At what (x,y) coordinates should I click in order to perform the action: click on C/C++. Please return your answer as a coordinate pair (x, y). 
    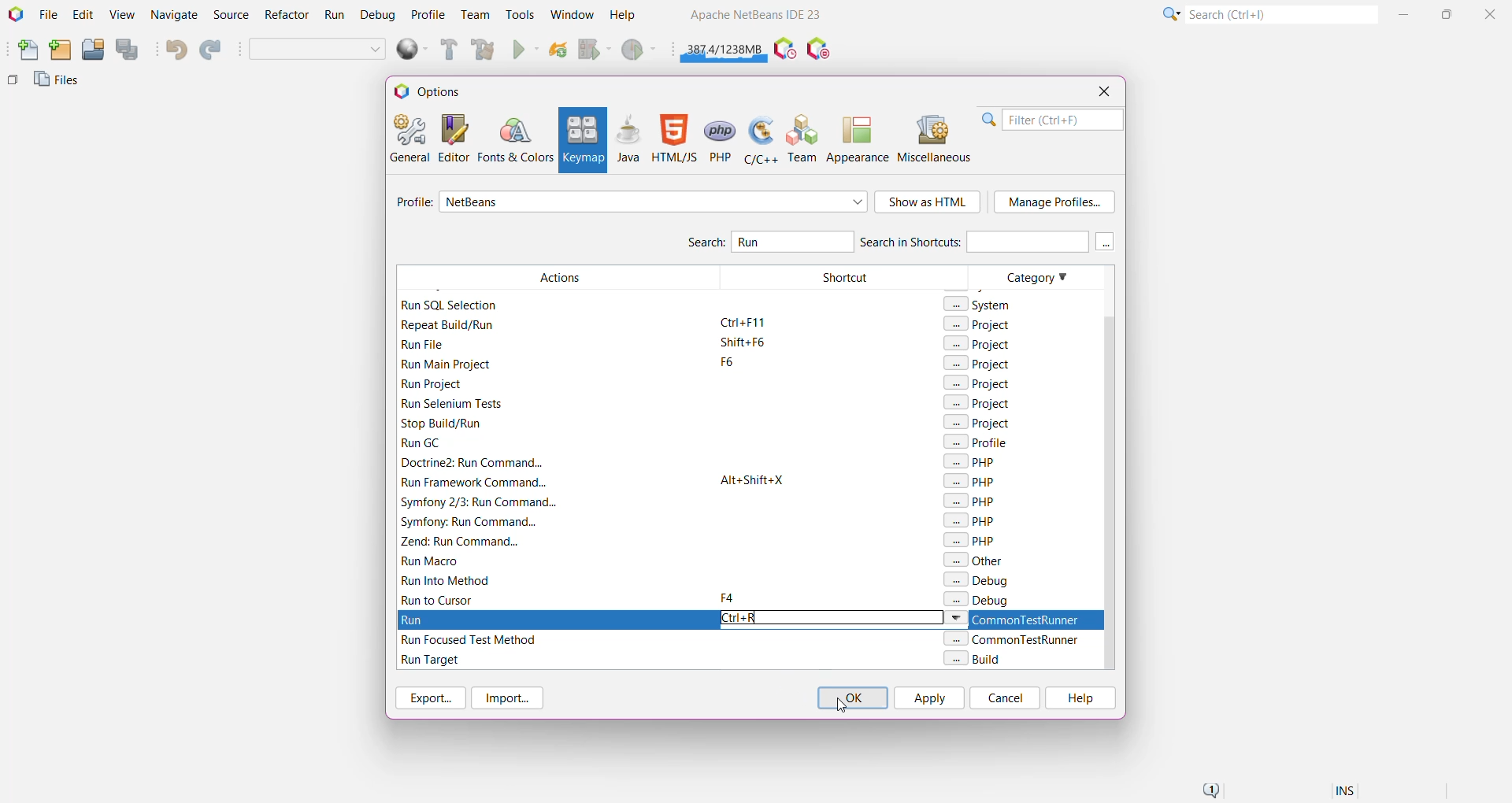
    Looking at the image, I should click on (759, 139).